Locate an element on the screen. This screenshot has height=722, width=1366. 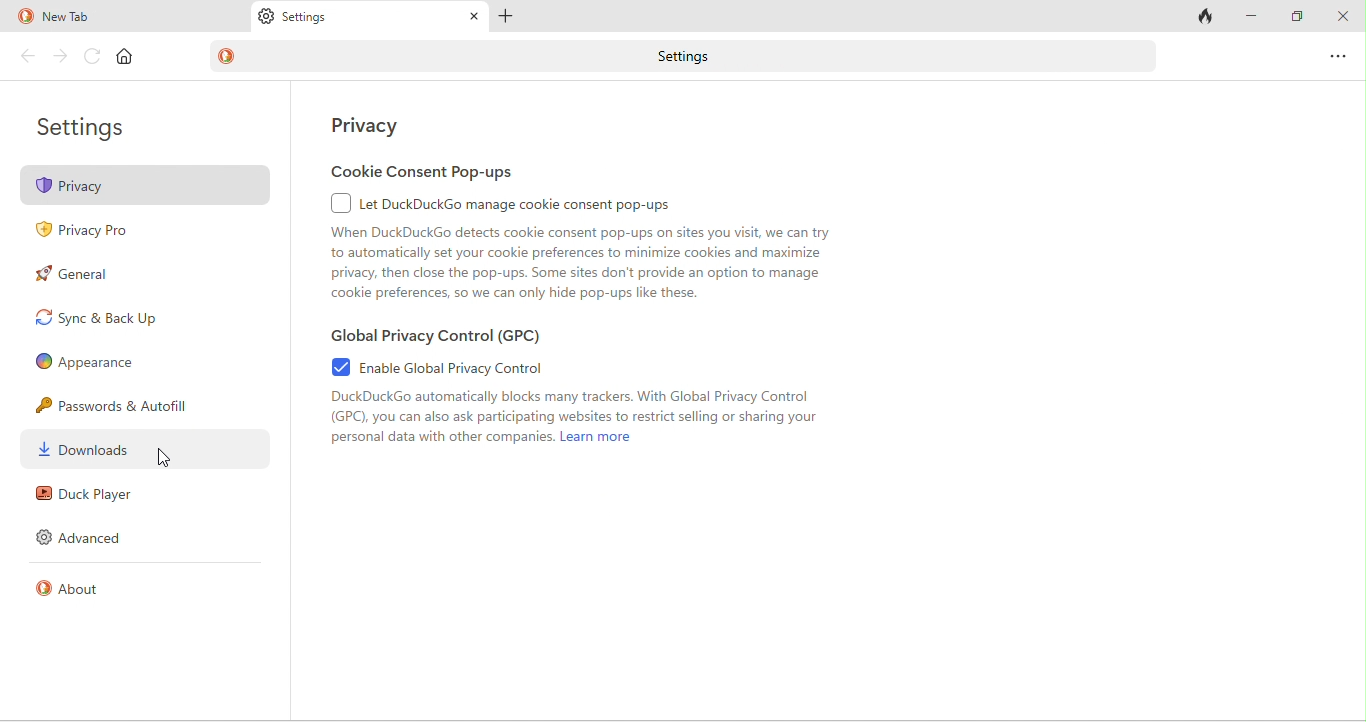
When DuckDuckGo detects cookie consent pop-ups on sites you visit, we can try.
to automatically set your cookie preferences to minimize cookies and maximize
privacy, then close the pop-ups. Some sites don't provide an option to manage
cookie preferences, so we can only hide pop-ups like these. is located at coordinates (596, 264).